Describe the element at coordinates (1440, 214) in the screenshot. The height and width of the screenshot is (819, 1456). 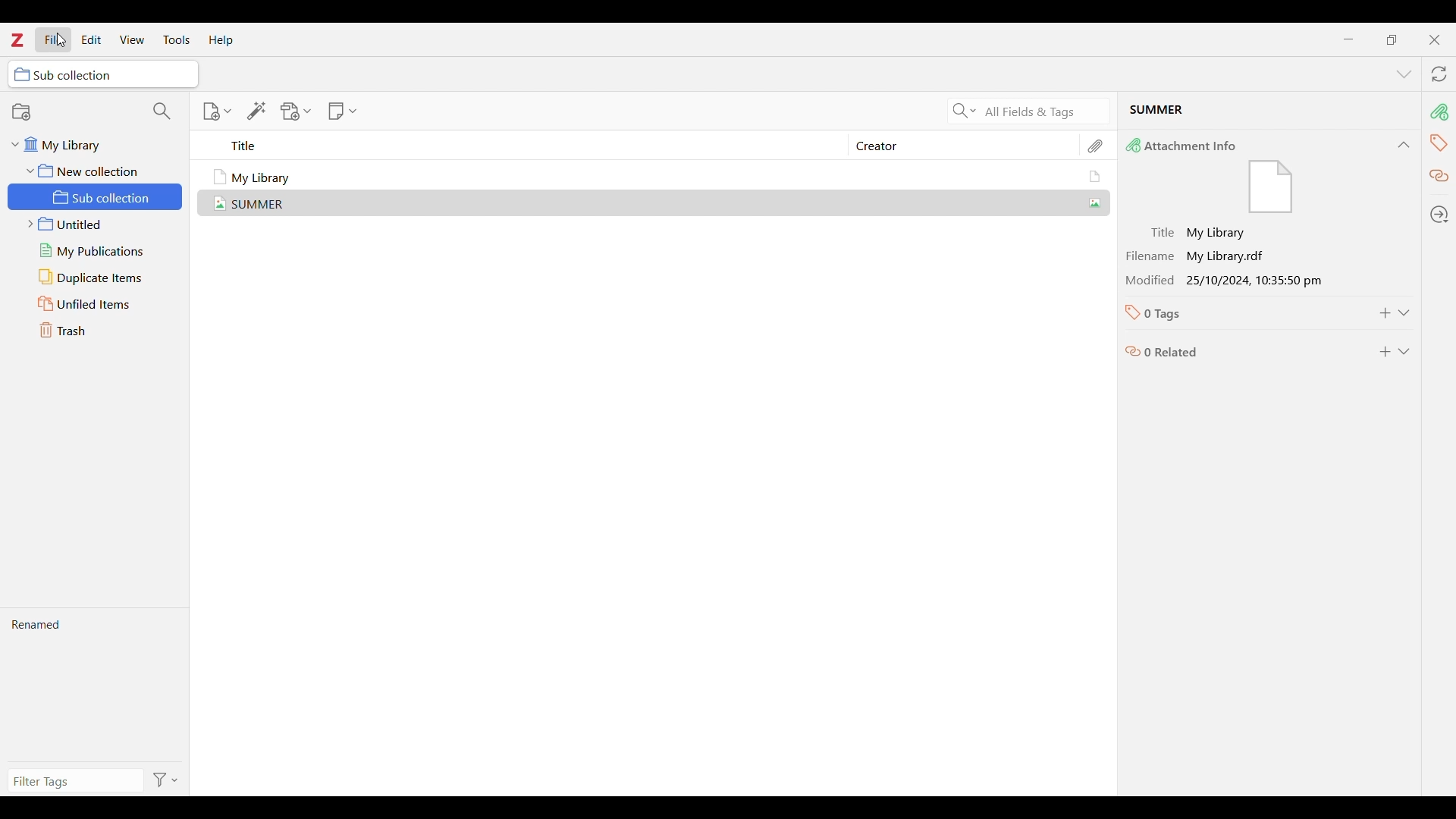
I see `Locate` at that location.